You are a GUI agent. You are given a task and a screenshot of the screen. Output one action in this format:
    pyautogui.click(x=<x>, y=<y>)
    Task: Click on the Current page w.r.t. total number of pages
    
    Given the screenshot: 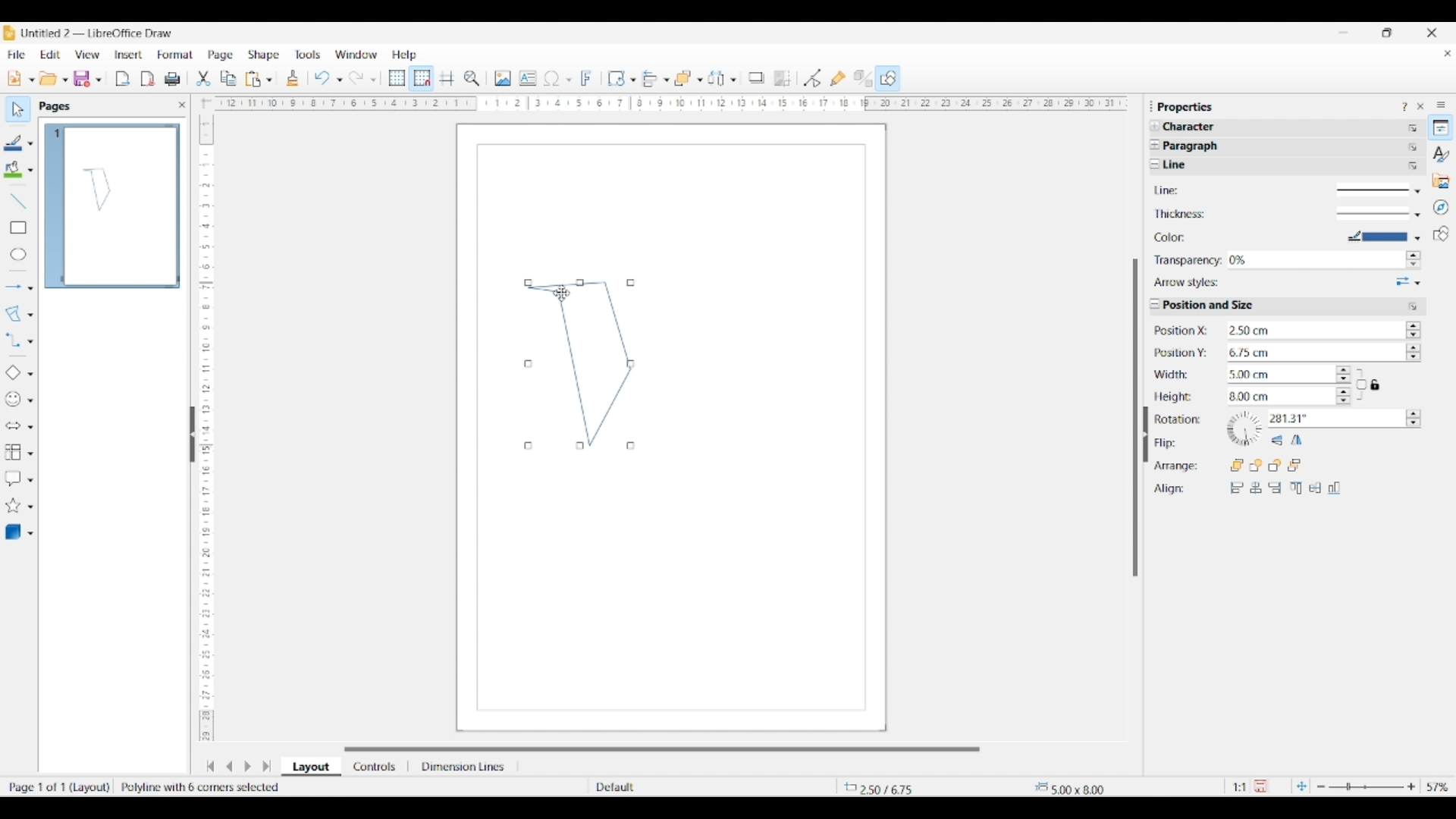 What is the action you would take?
    pyautogui.click(x=56, y=786)
    